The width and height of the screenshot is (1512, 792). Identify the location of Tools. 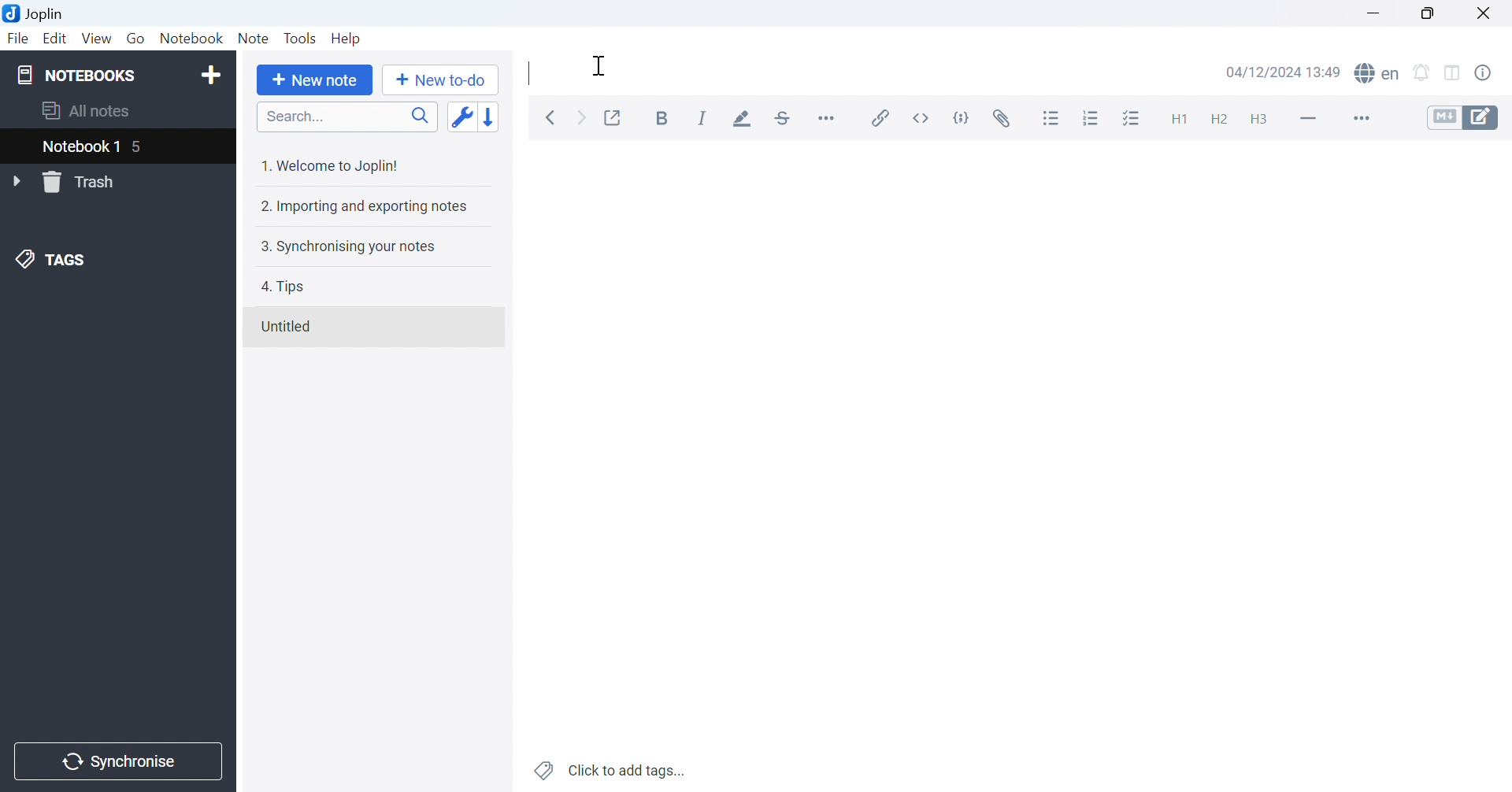
(301, 38).